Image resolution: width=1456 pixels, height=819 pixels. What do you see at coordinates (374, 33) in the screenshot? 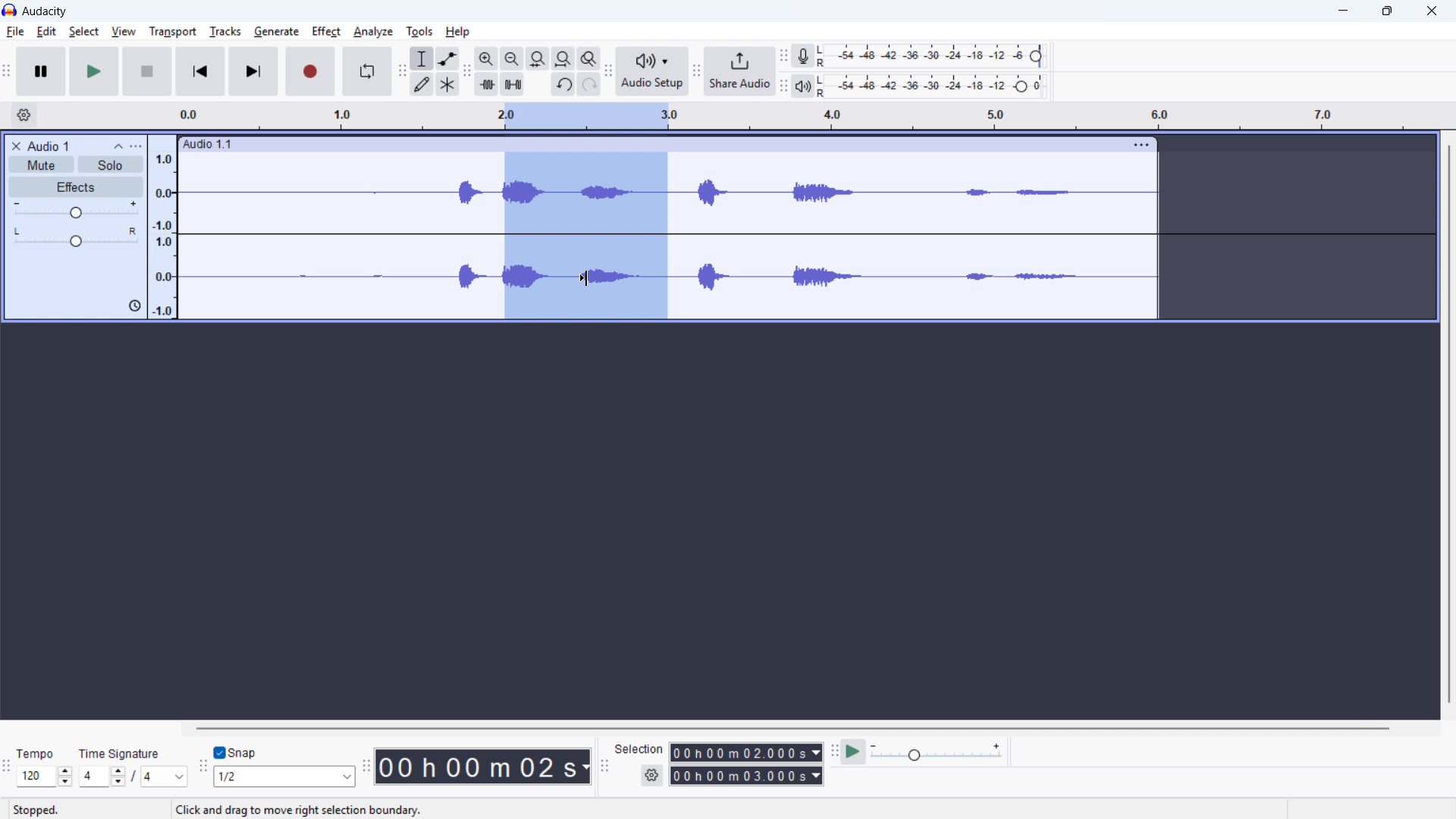
I see `Analyse` at bounding box center [374, 33].